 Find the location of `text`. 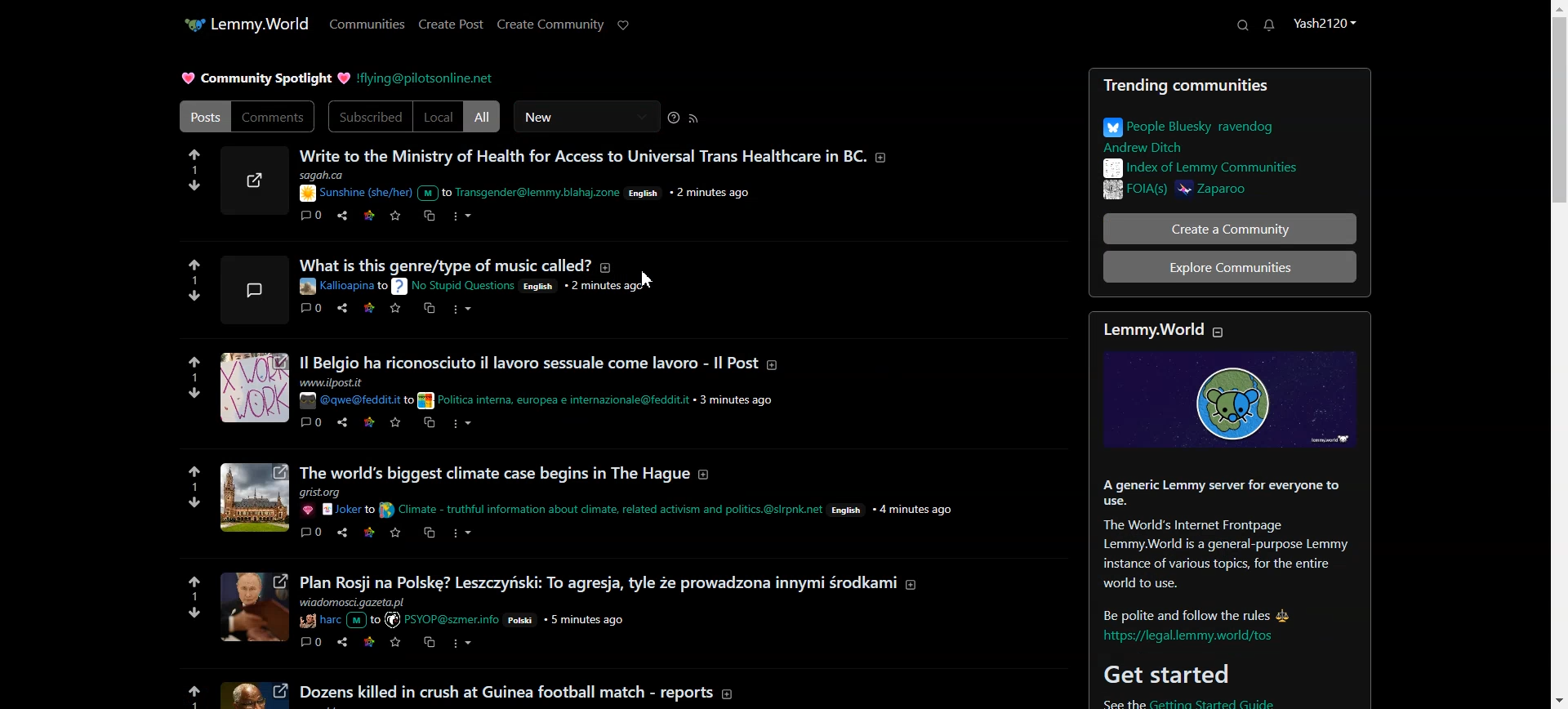

text is located at coordinates (505, 694).